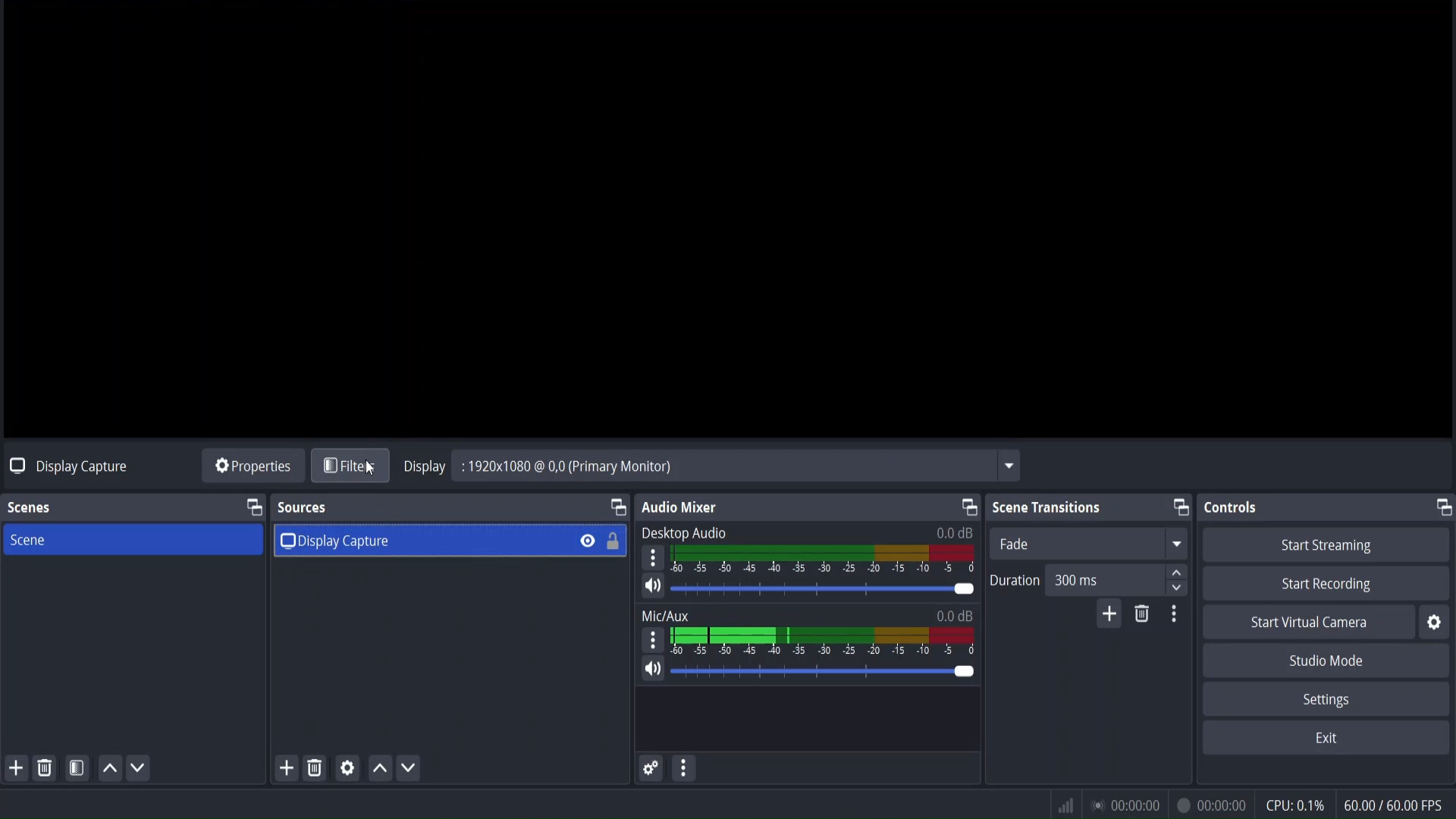 The width and height of the screenshot is (1456, 819). Describe the element at coordinates (651, 554) in the screenshot. I see `settings` at that location.